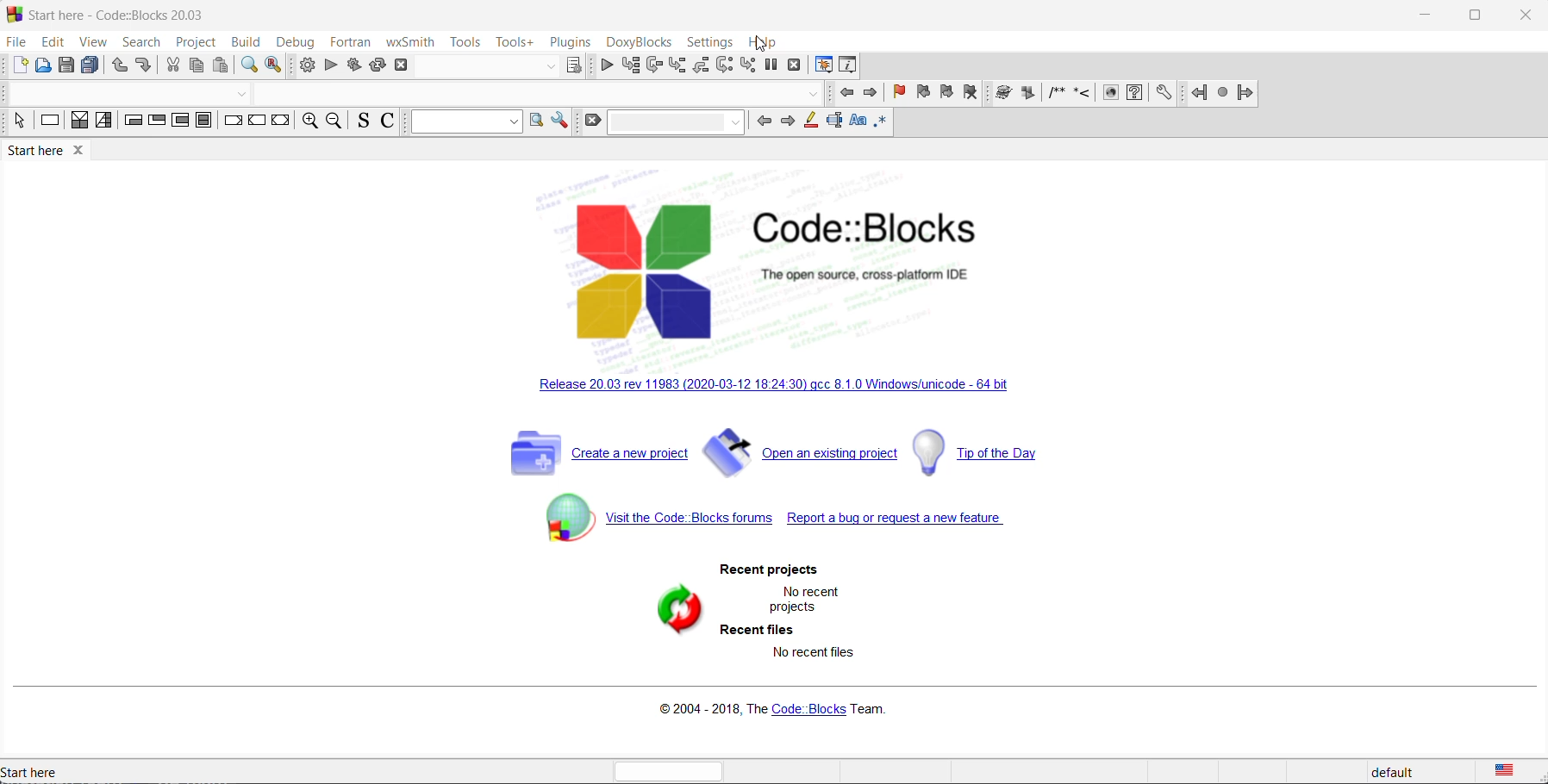 The image size is (1548, 784). I want to click on DoxyBlocks, so click(636, 42).